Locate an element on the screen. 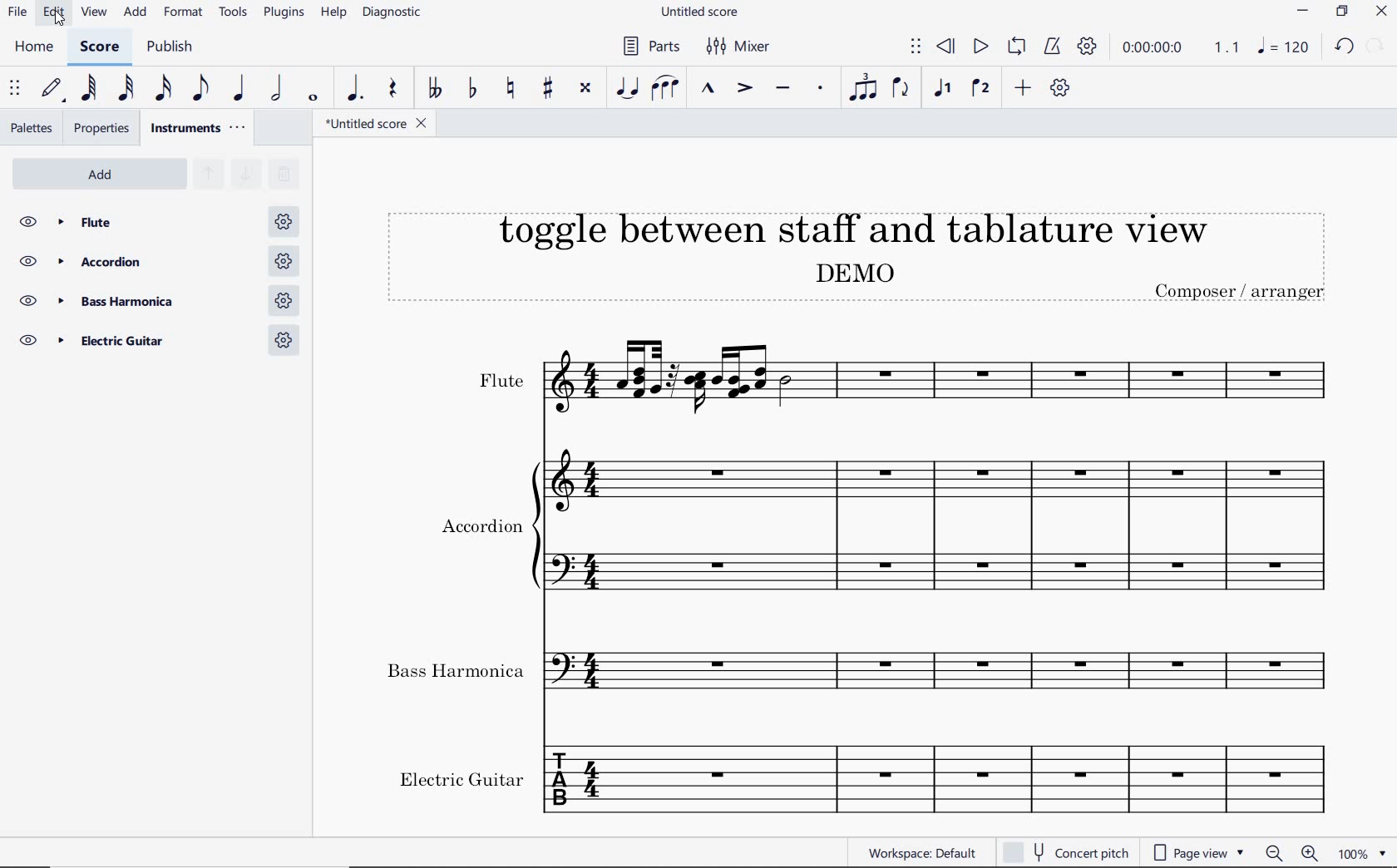 The height and width of the screenshot is (868, 1397). quarter note is located at coordinates (239, 89).